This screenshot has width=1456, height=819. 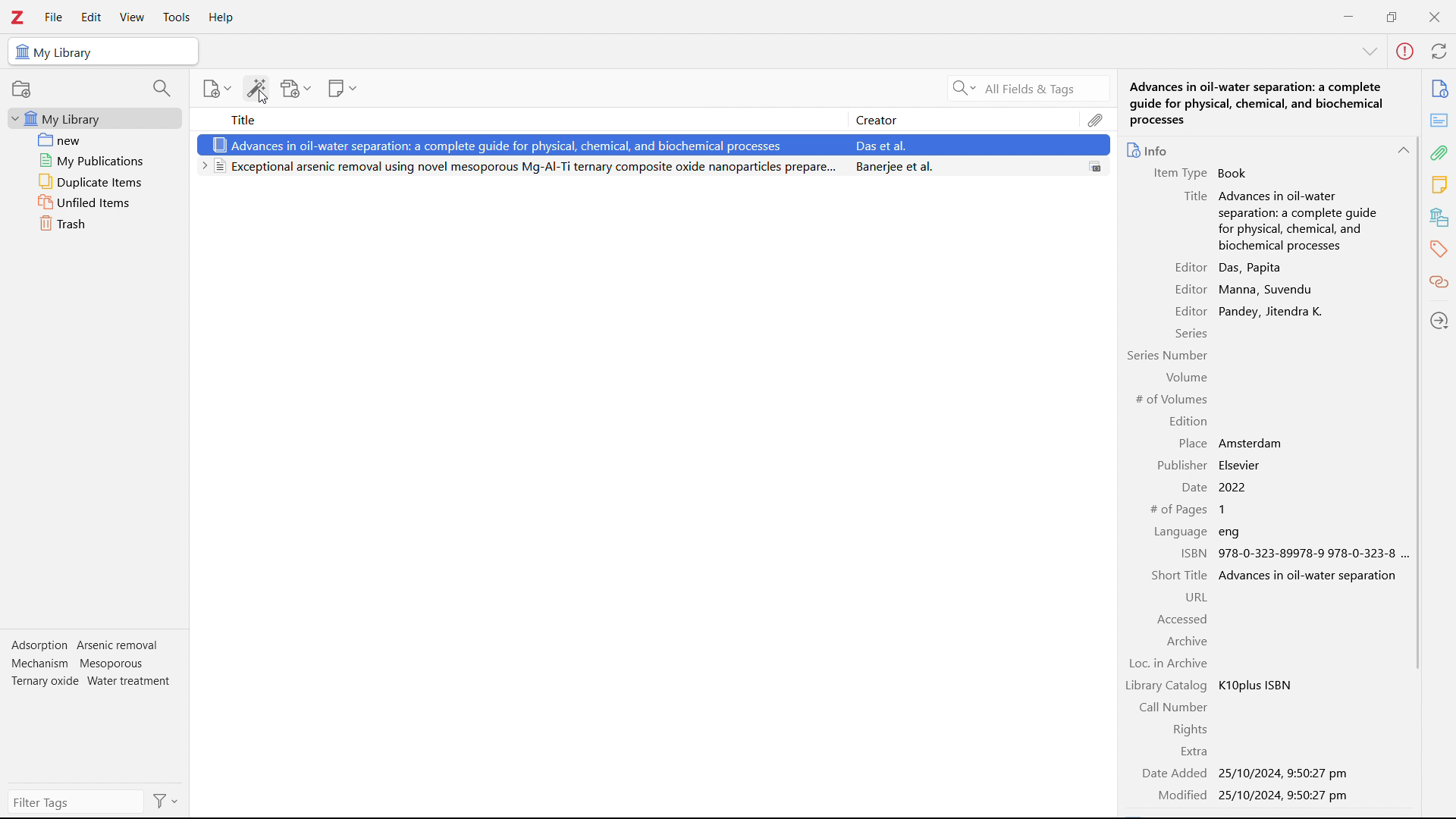 I want to click on locate, so click(x=1440, y=319).